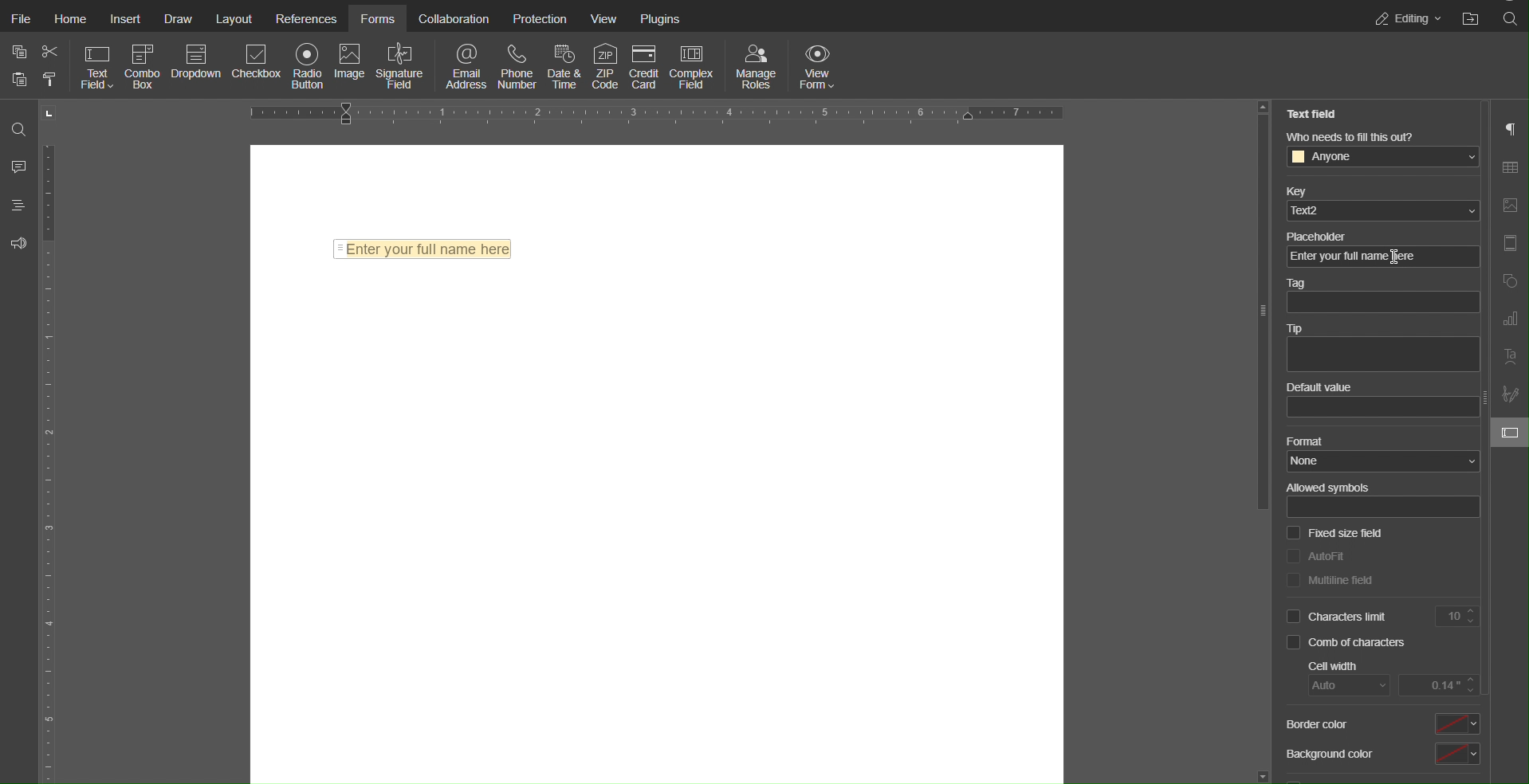 This screenshot has width=1529, height=784. Describe the element at coordinates (20, 244) in the screenshot. I see `Feedback & Support` at that location.